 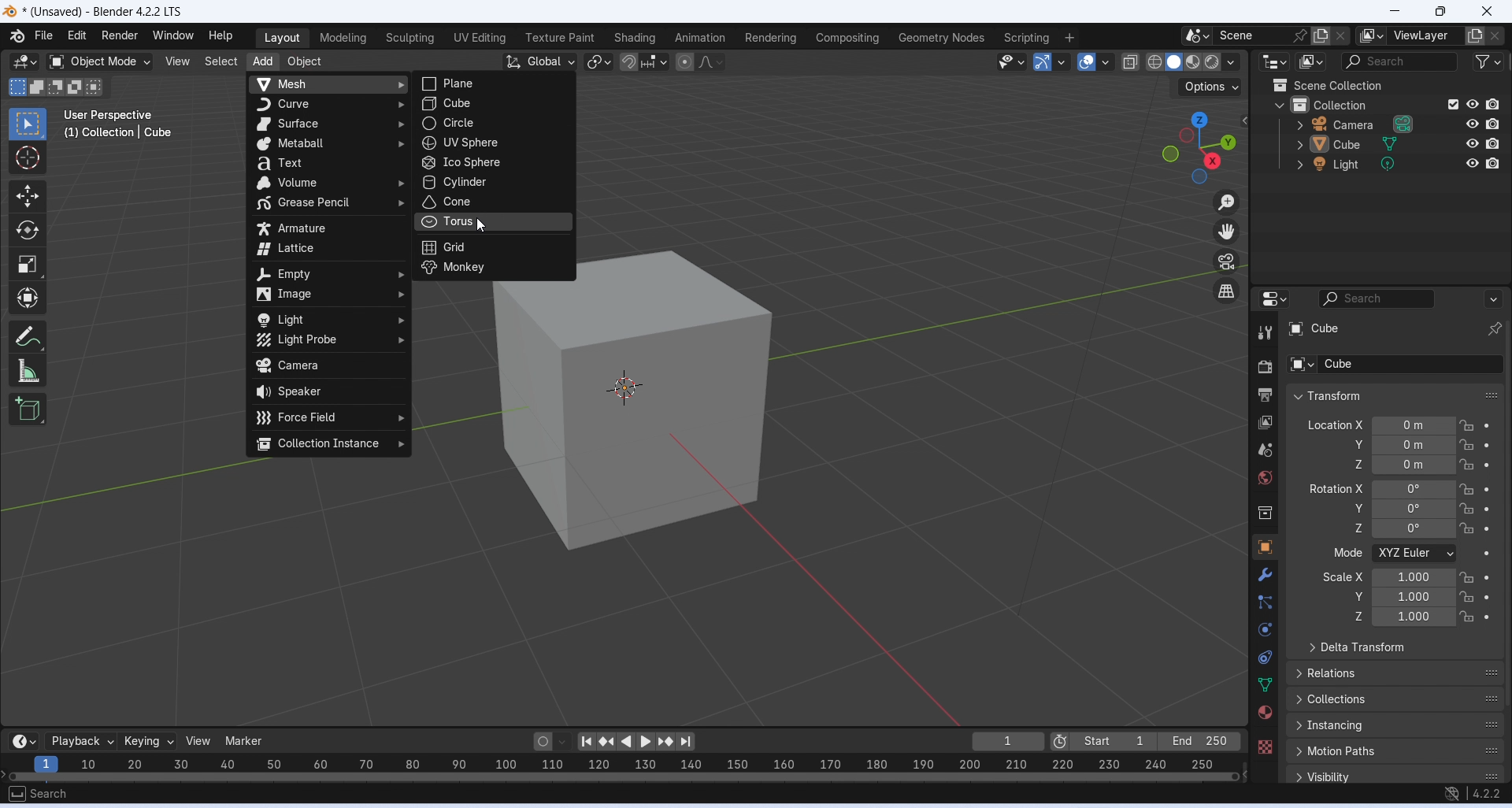 I want to click on , so click(x=1266, y=514).